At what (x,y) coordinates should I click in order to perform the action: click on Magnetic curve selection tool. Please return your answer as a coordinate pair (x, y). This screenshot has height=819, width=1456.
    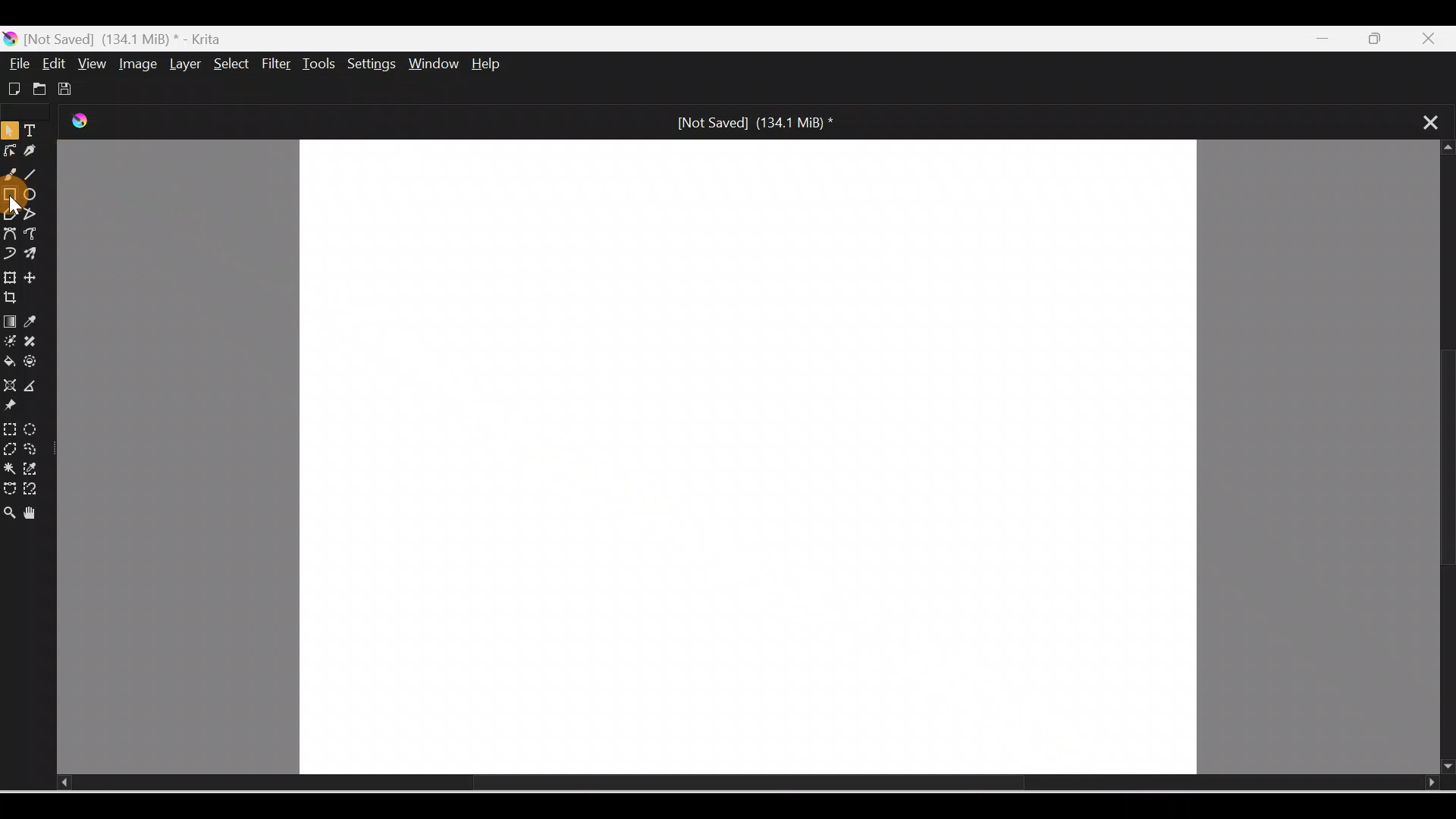
    Looking at the image, I should click on (35, 490).